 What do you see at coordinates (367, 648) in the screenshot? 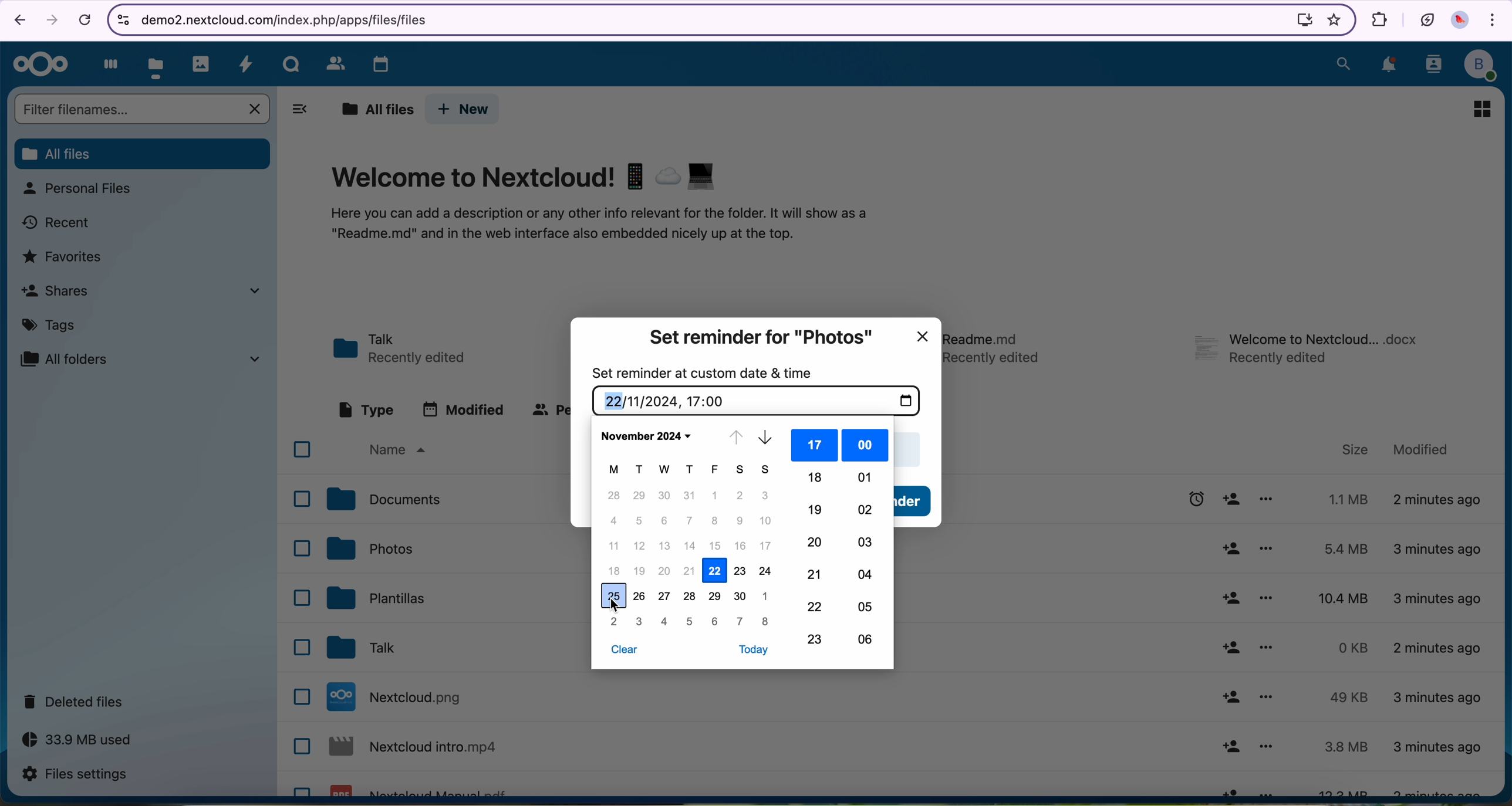
I see `tak` at bounding box center [367, 648].